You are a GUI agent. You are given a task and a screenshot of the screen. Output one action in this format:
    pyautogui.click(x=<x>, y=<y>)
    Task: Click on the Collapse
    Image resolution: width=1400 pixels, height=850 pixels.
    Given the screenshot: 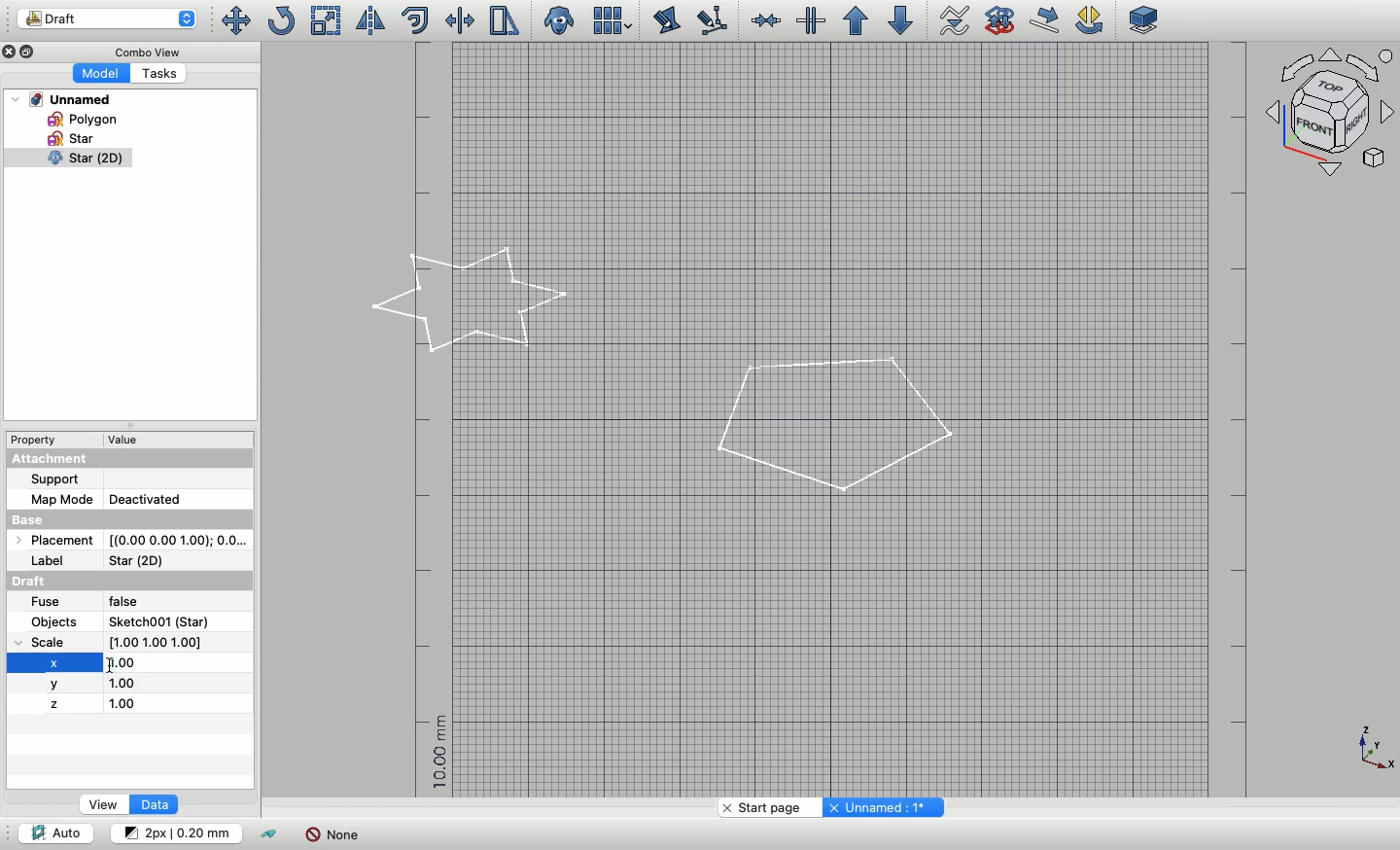 What is the action you would take?
    pyautogui.click(x=128, y=425)
    